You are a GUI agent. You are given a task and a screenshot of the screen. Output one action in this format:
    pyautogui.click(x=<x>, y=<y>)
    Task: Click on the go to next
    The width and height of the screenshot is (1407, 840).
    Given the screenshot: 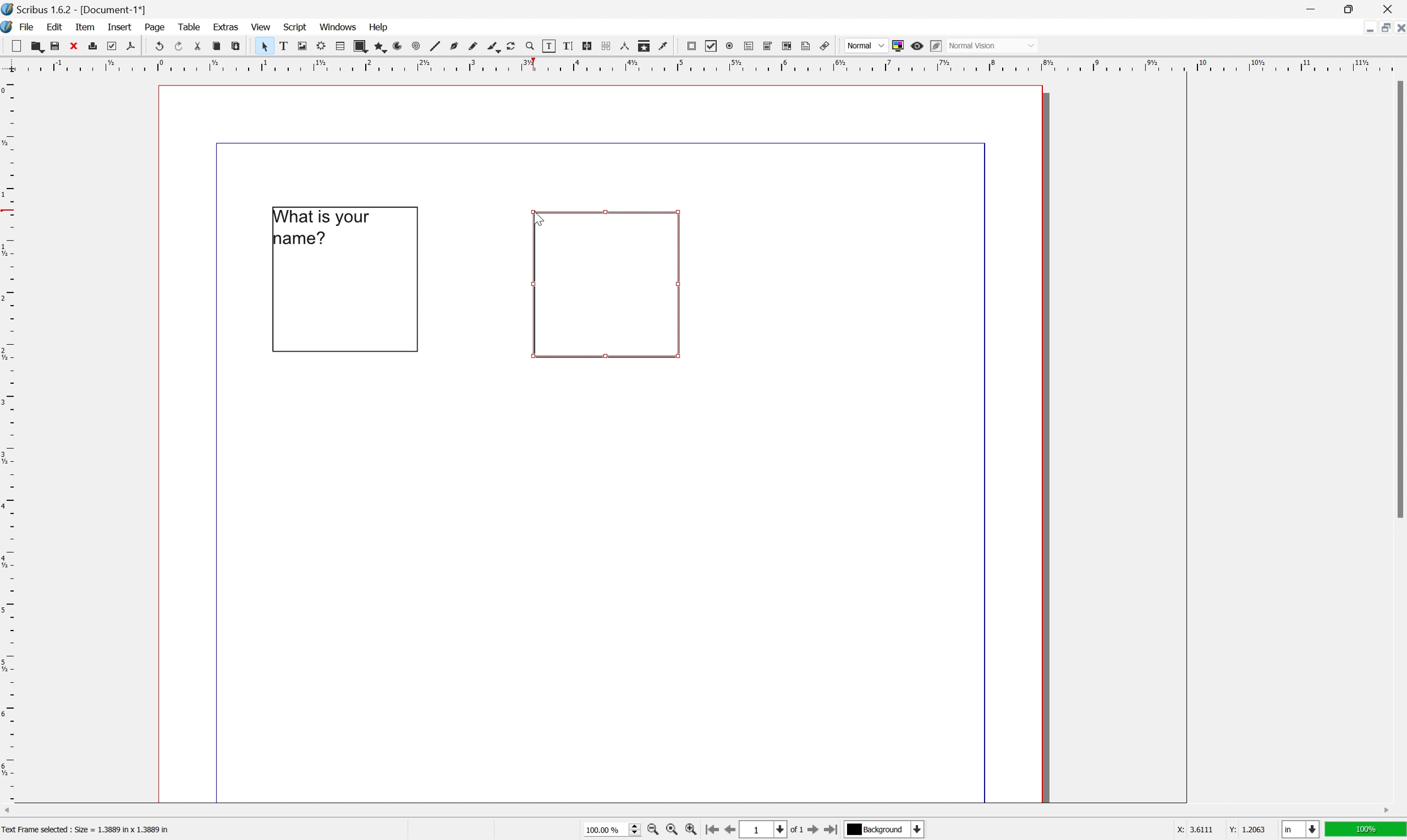 What is the action you would take?
    pyautogui.click(x=819, y=832)
    